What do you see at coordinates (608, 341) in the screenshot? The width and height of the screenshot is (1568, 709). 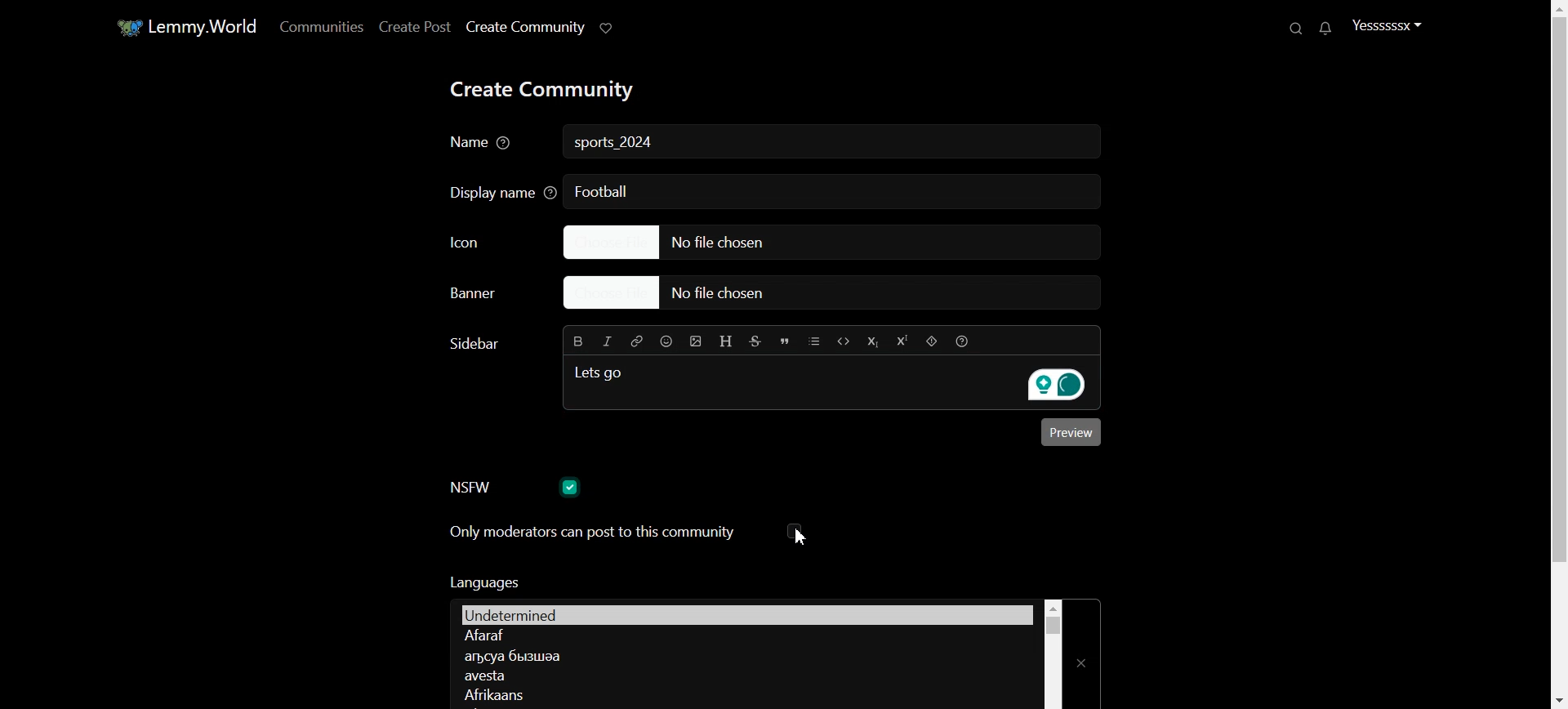 I see `Italic` at bounding box center [608, 341].